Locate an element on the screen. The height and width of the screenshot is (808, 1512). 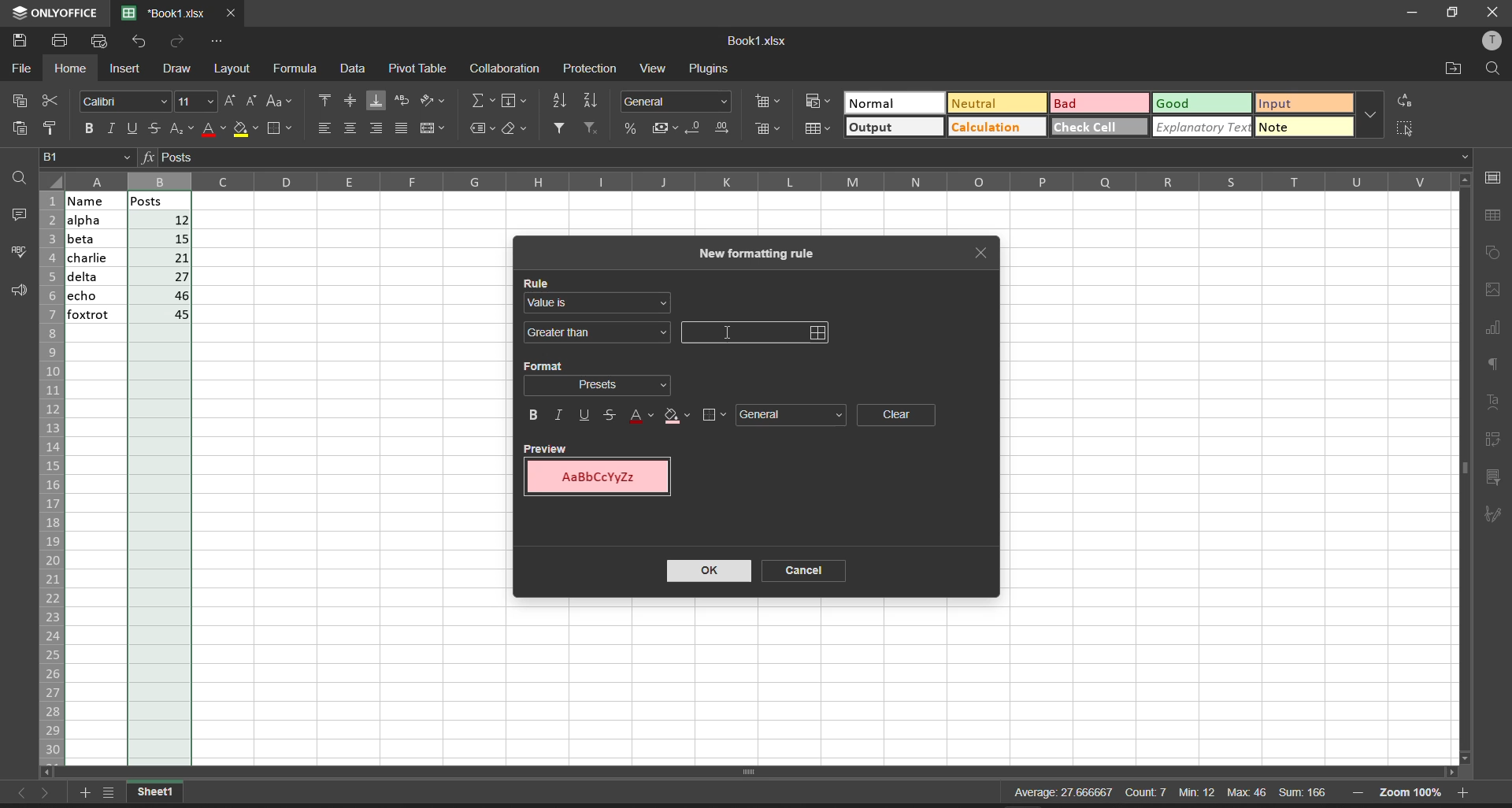
posts is located at coordinates (157, 467).